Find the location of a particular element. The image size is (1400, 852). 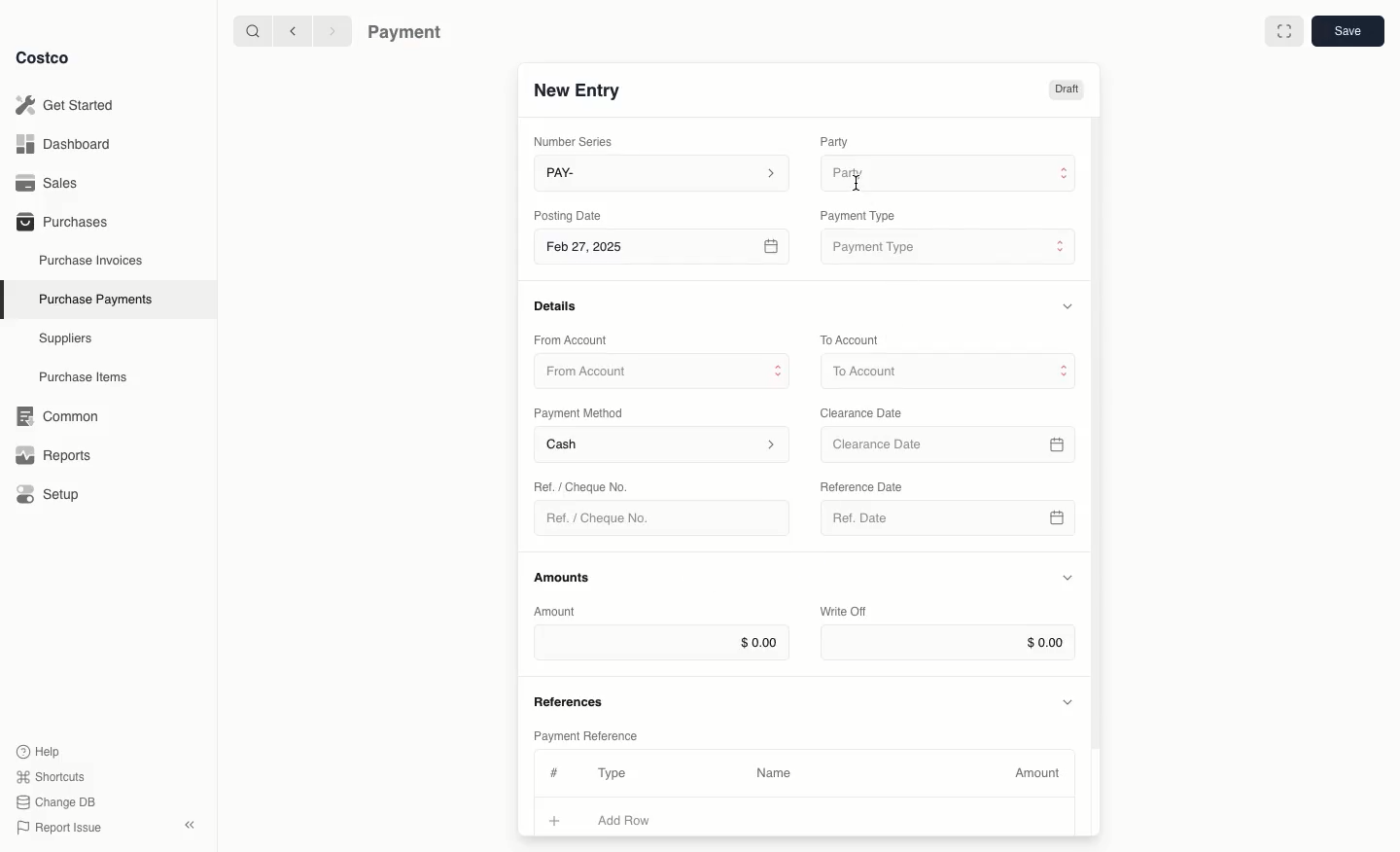

Hide is located at coordinates (1067, 579).